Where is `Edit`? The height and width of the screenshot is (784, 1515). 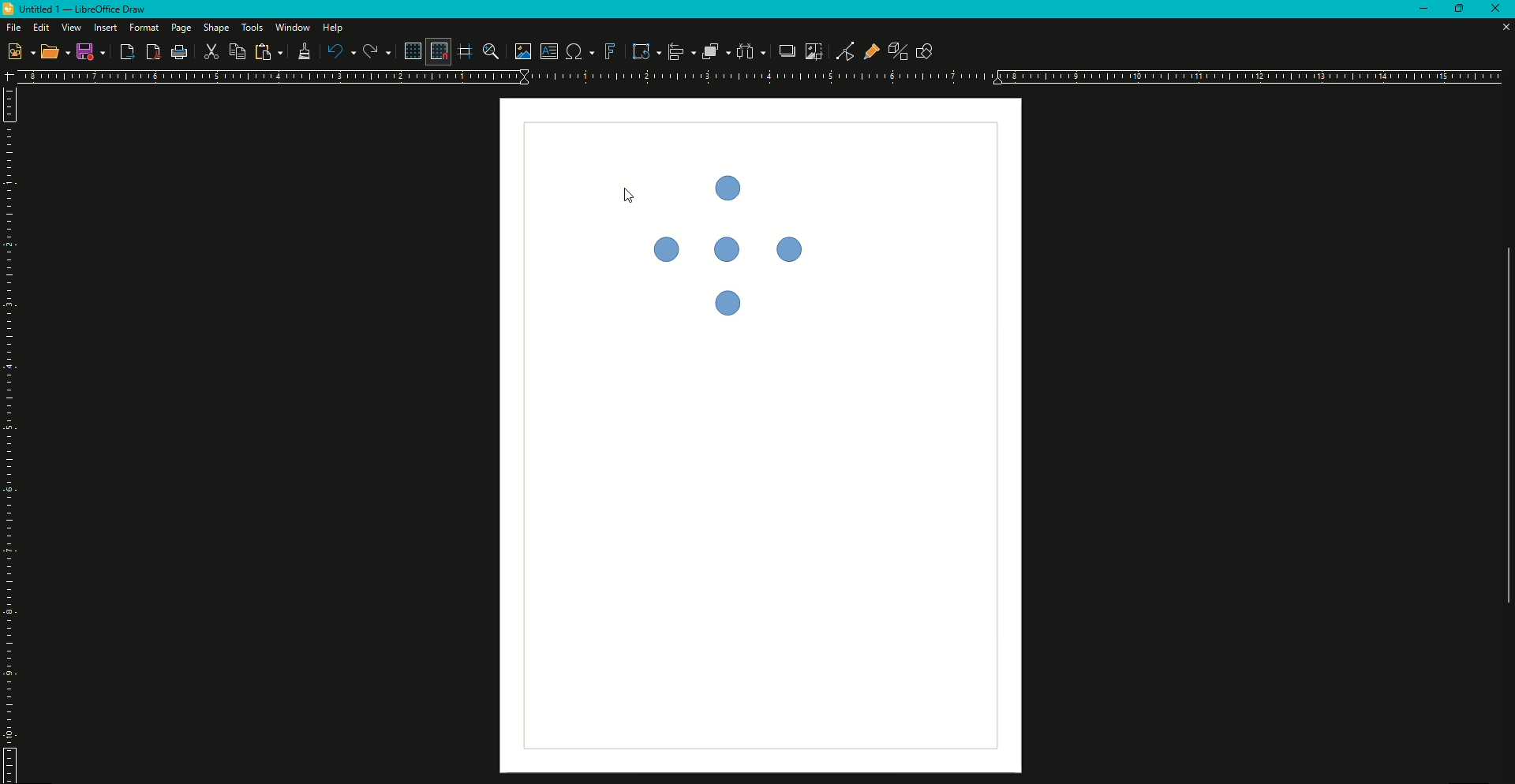 Edit is located at coordinates (38, 27).